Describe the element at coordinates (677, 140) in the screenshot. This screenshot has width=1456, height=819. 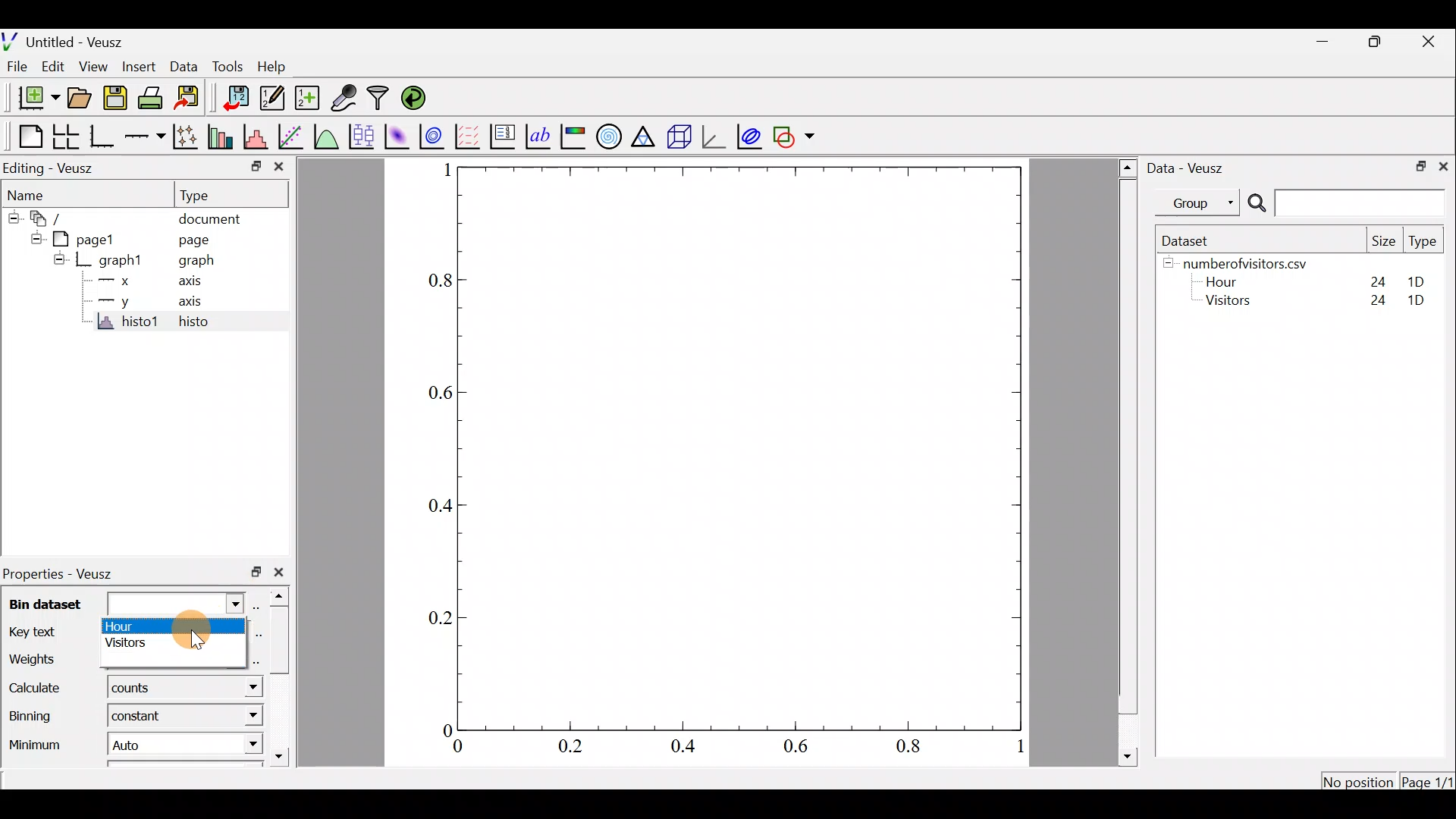
I see `3d scene` at that location.